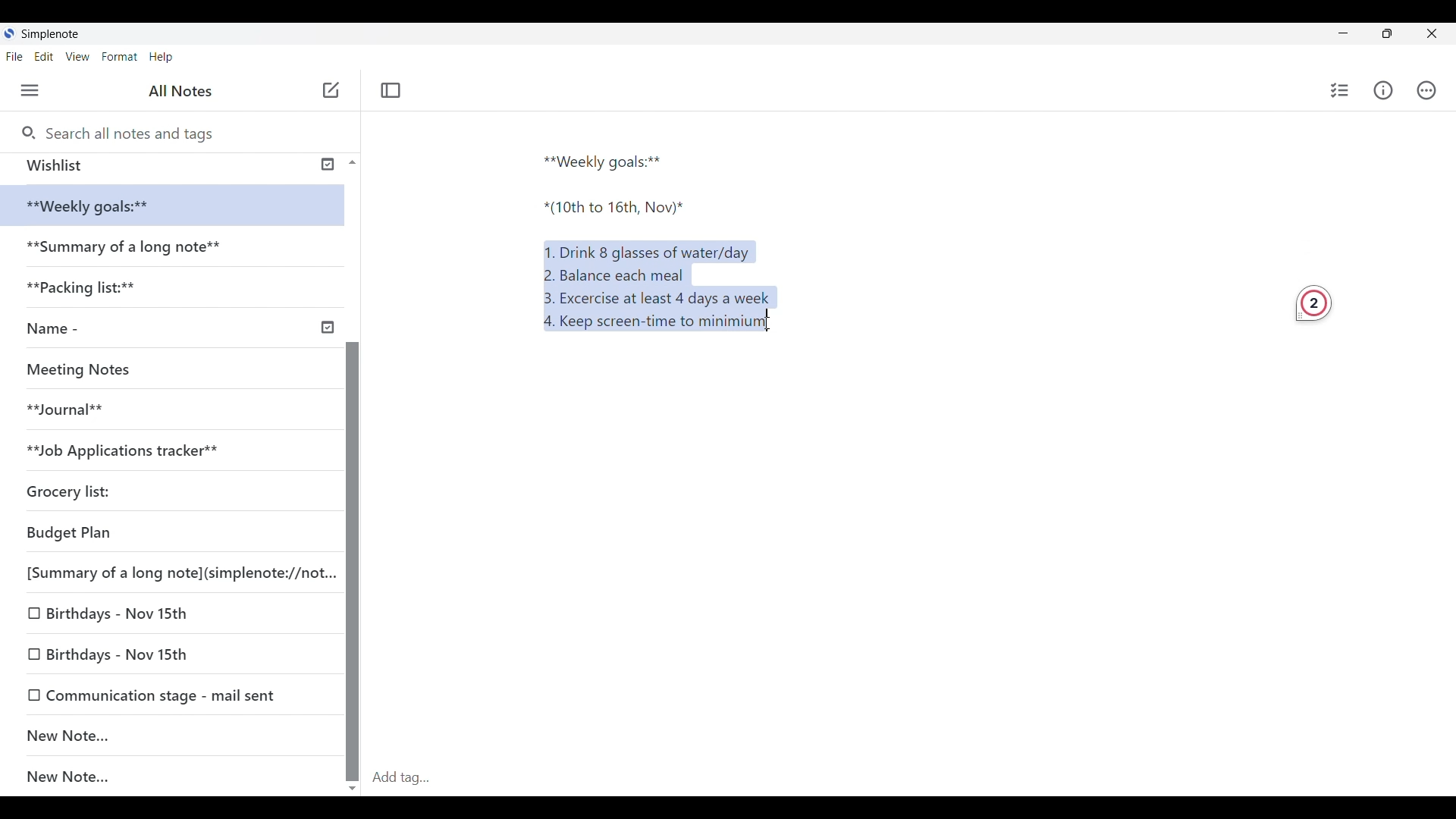 Image resolution: width=1456 pixels, height=819 pixels. I want to click on 4. Keep screen-time to minimium, so click(651, 325).